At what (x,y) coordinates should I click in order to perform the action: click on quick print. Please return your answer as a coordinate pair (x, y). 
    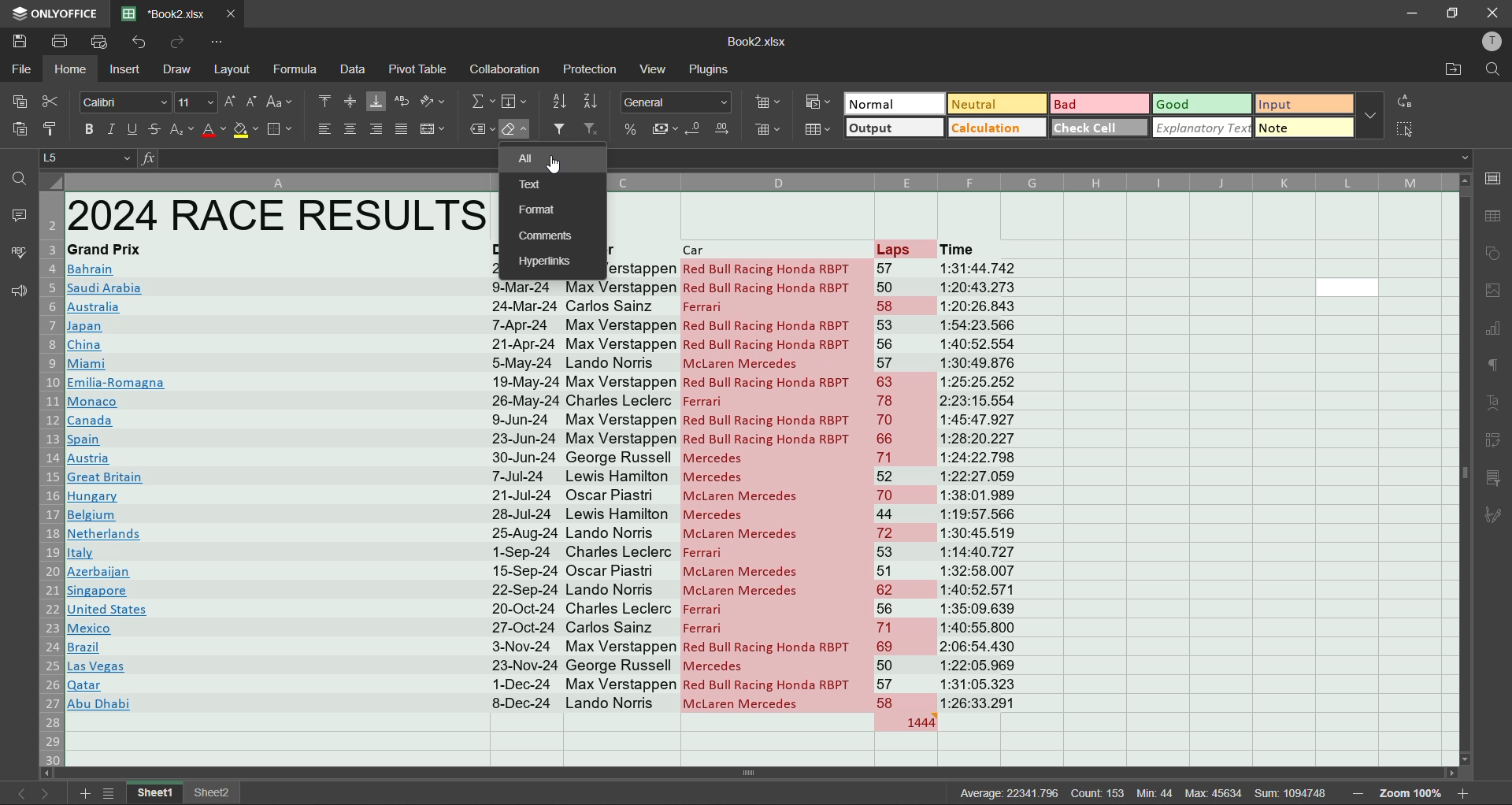
    Looking at the image, I should click on (103, 42).